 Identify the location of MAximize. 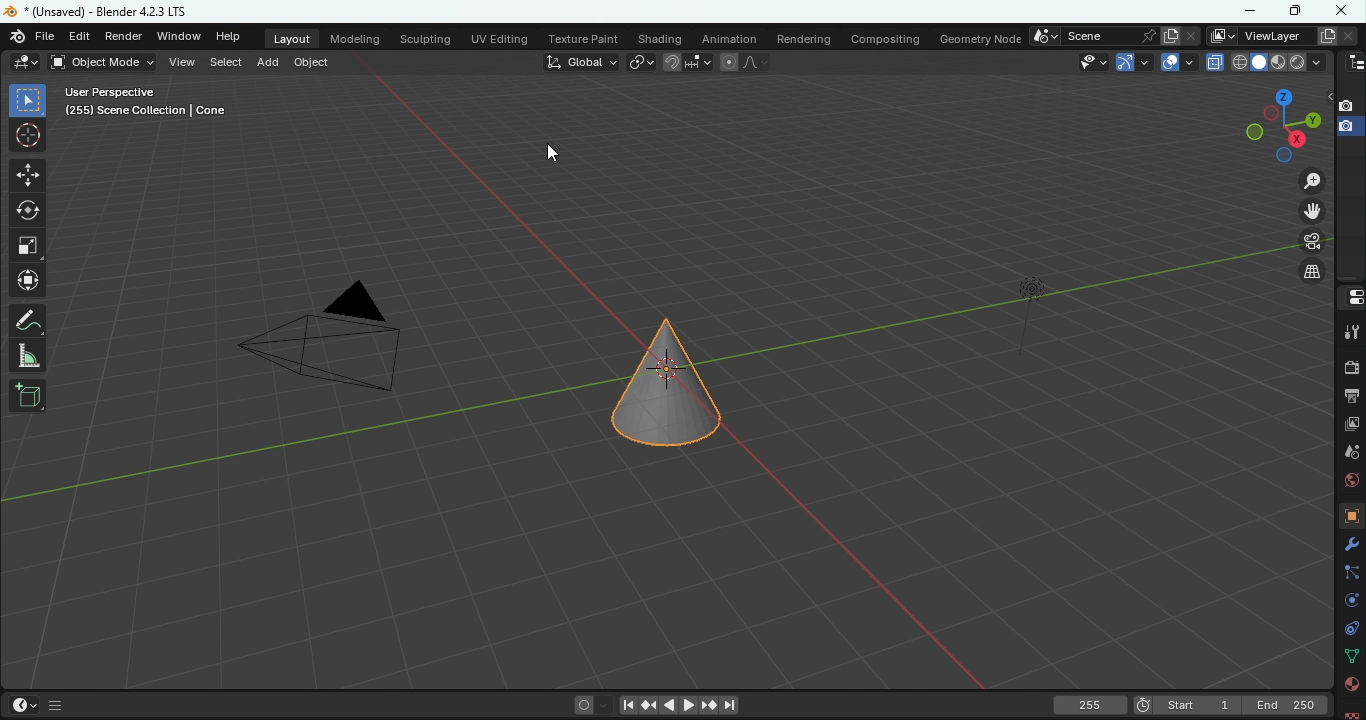
(1297, 12).